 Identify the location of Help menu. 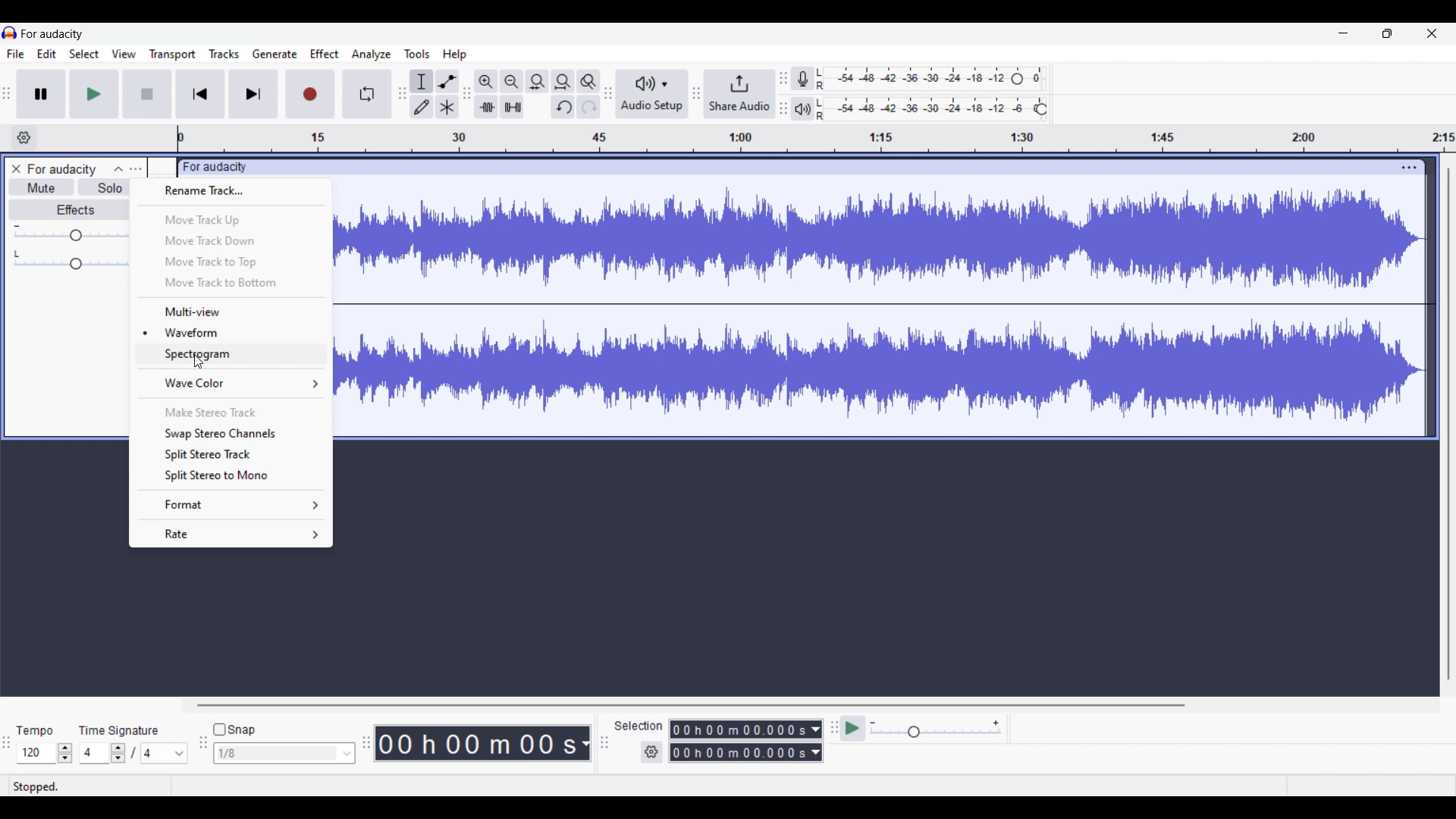
(455, 55).